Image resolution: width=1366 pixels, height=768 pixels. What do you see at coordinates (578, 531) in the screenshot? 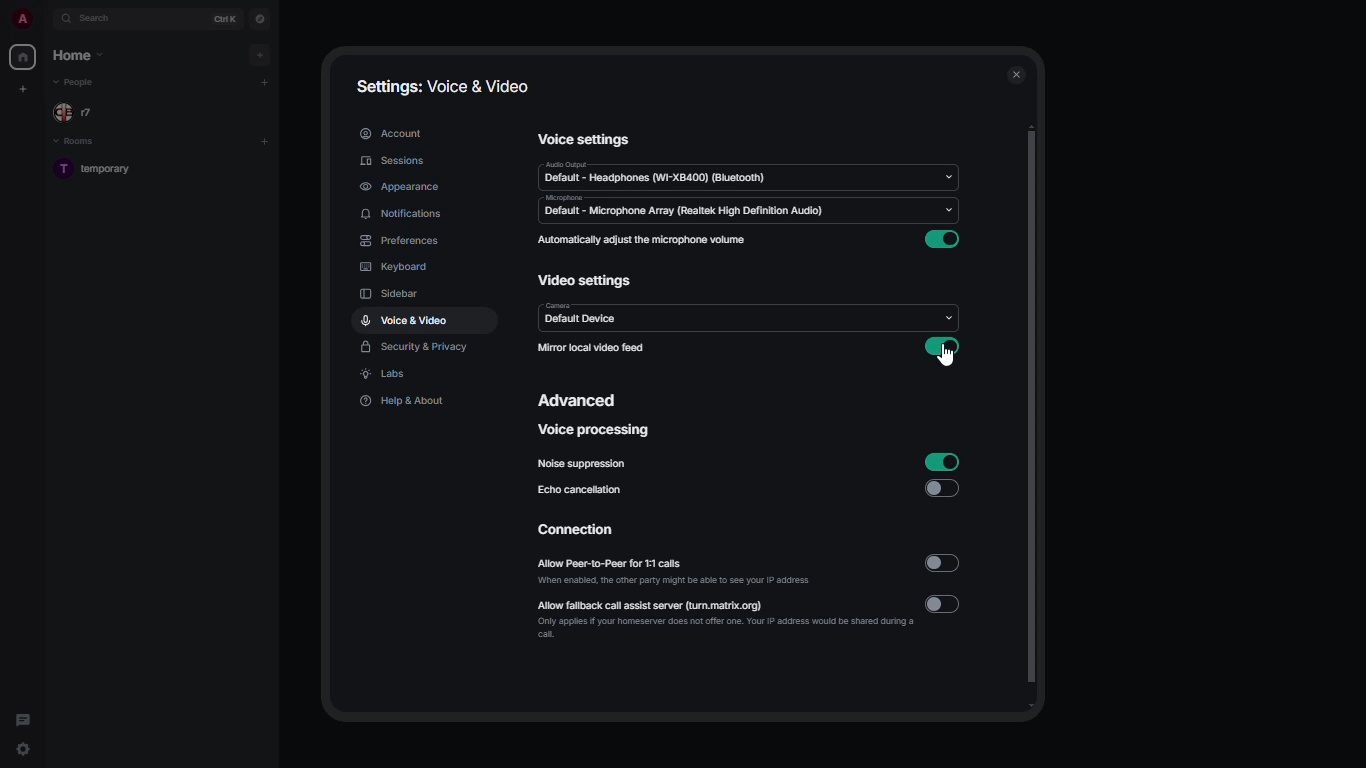
I see `connection` at bounding box center [578, 531].